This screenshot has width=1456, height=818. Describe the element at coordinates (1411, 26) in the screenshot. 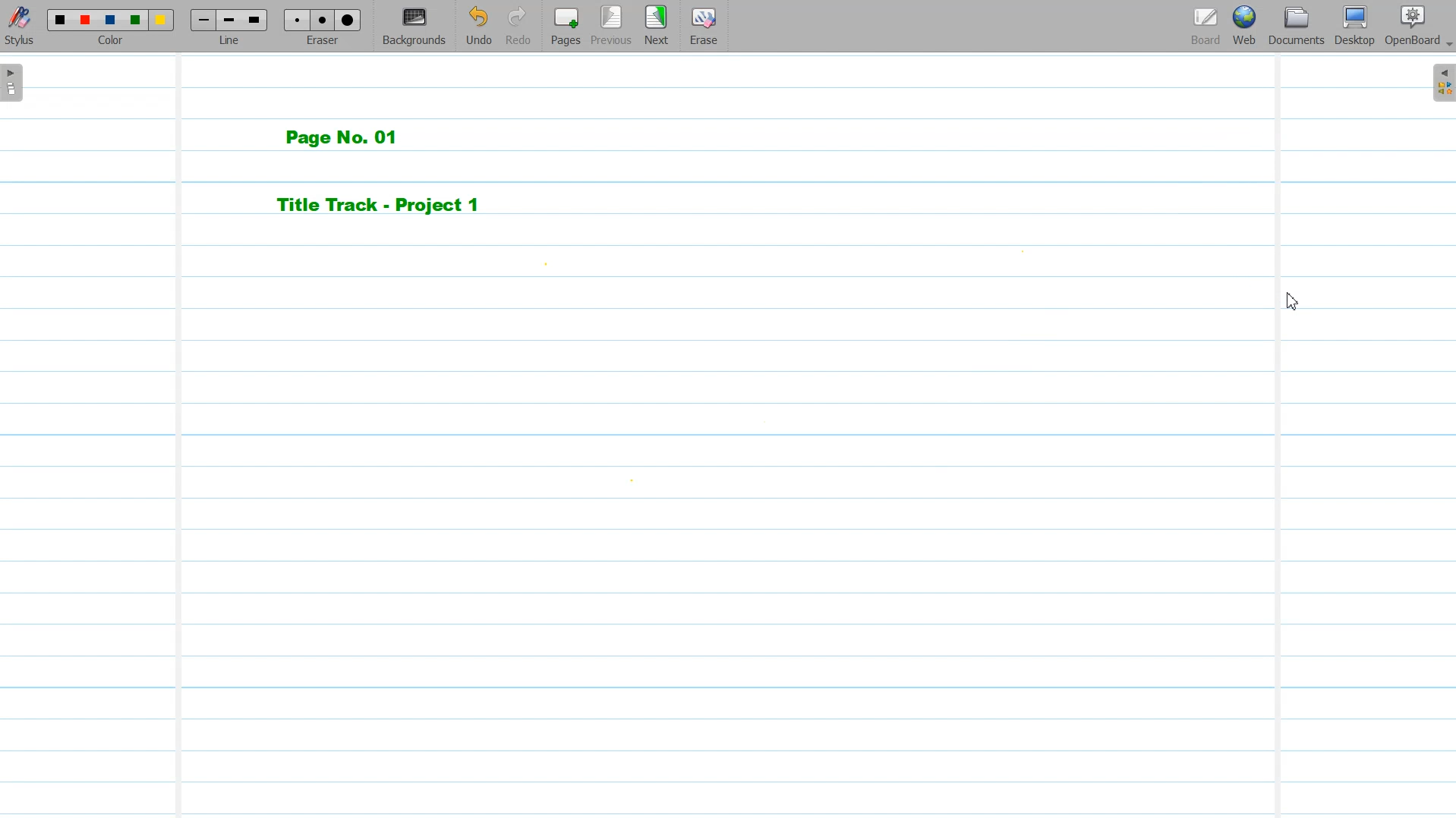

I see `Open Board` at that location.